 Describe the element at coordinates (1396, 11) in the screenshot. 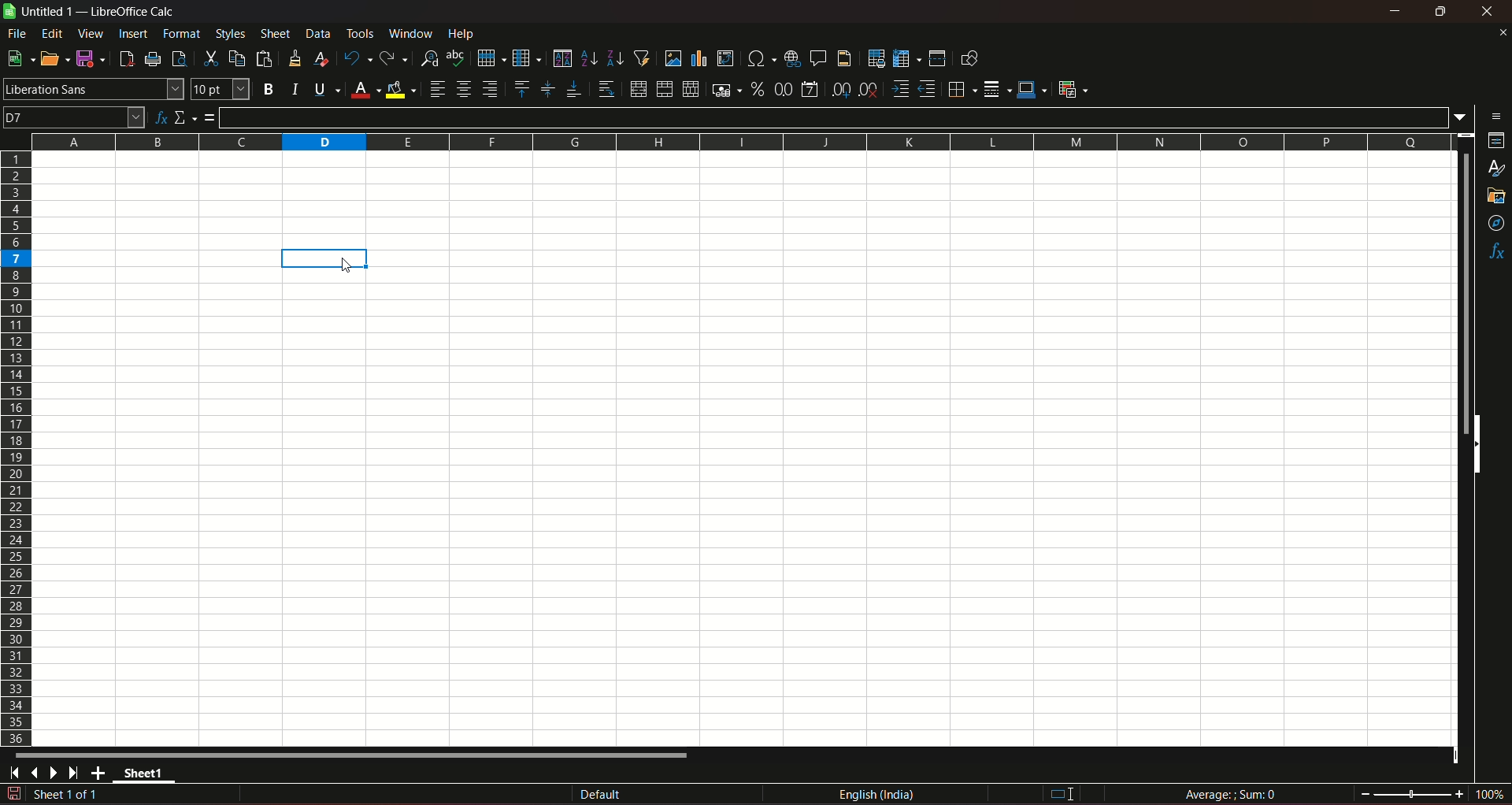

I see `minimize` at that location.